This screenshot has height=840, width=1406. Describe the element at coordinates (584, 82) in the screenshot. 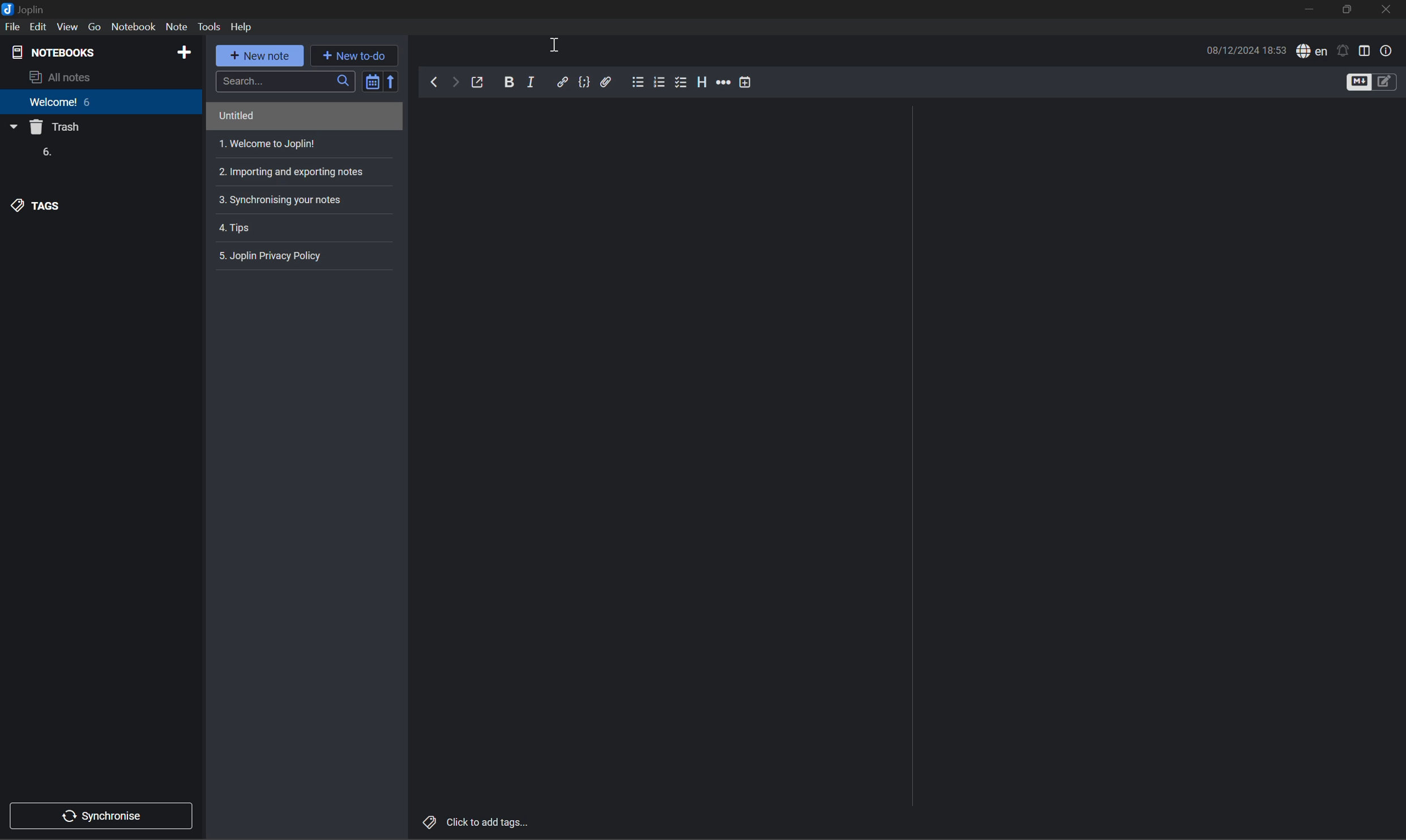

I see `Code block` at that location.